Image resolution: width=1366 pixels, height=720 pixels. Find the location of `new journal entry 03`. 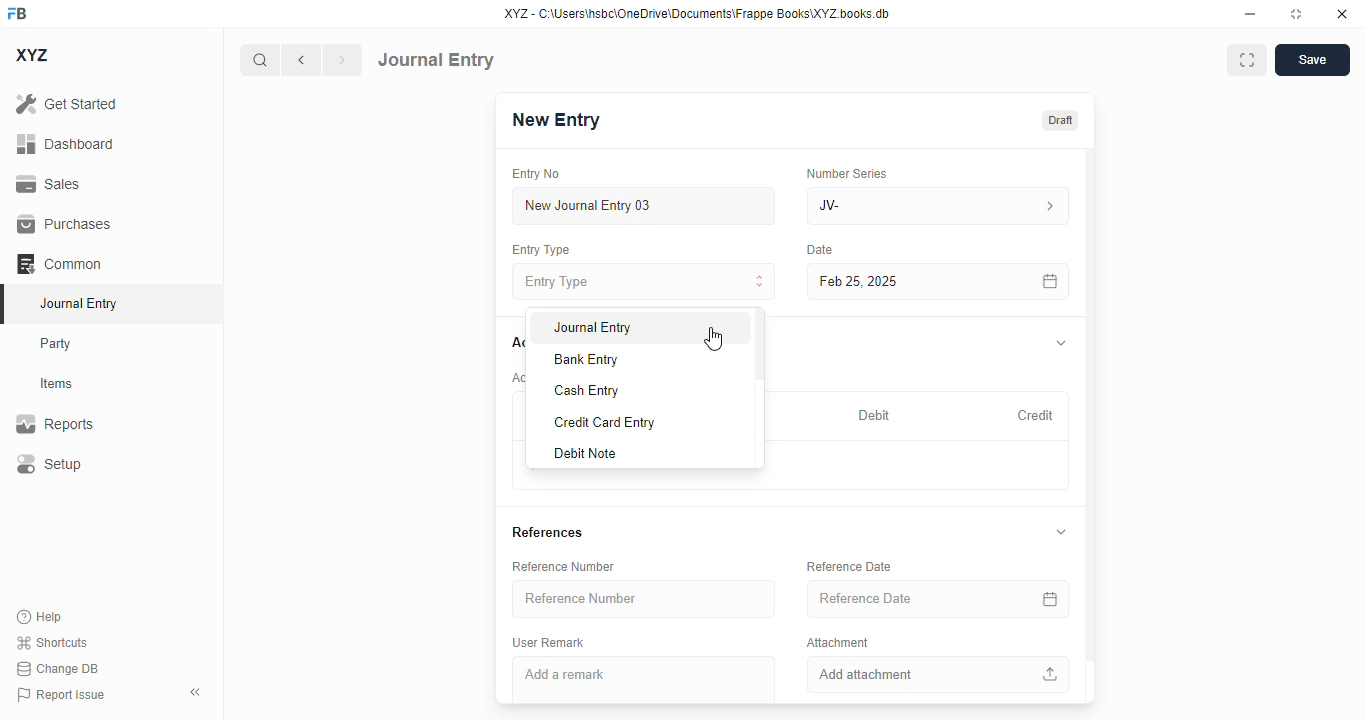

new journal entry 03 is located at coordinates (642, 206).